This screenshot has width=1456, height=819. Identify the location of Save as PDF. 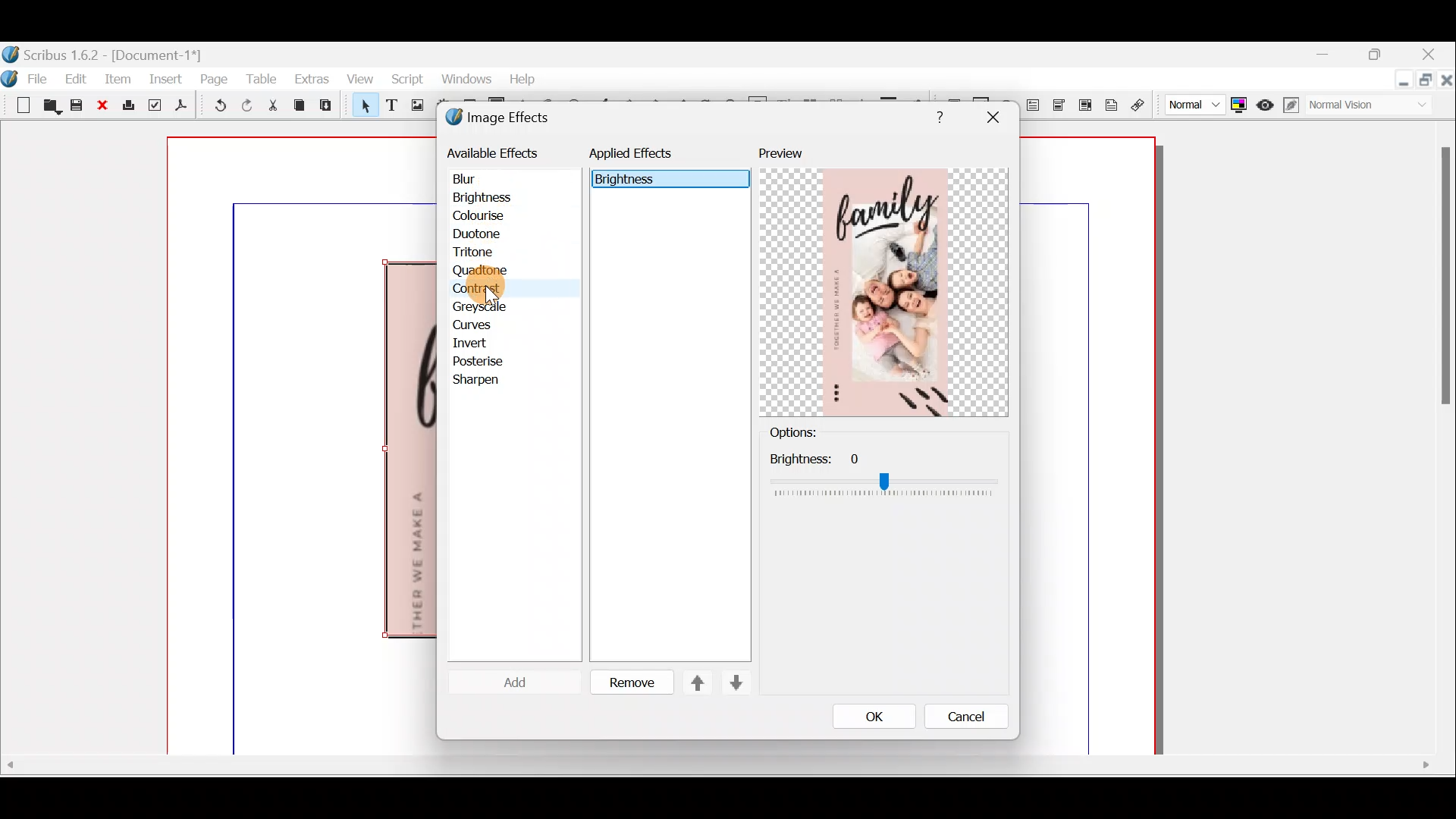
(179, 108).